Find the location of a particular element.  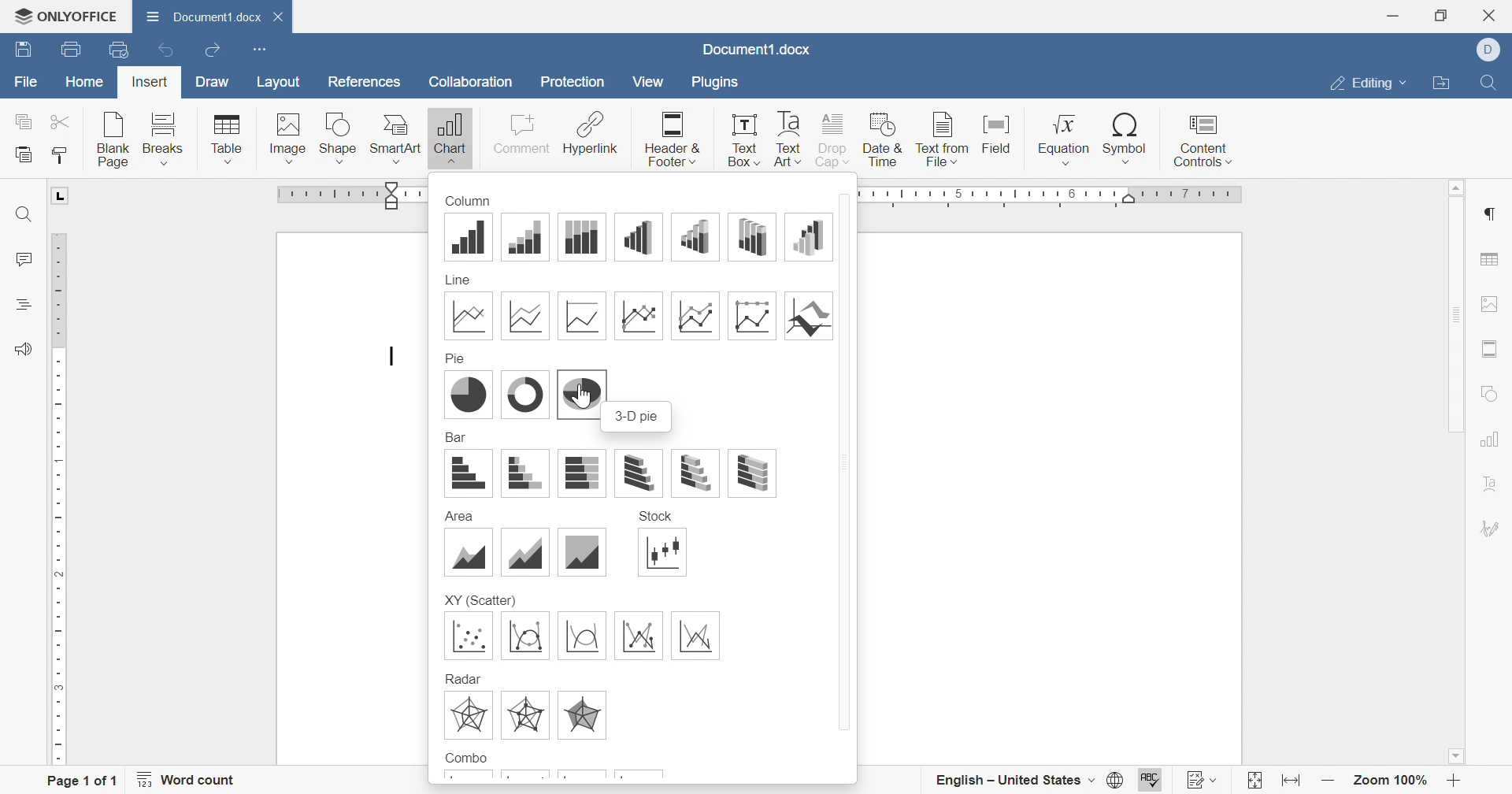

ONLYOFFICE is located at coordinates (68, 17).